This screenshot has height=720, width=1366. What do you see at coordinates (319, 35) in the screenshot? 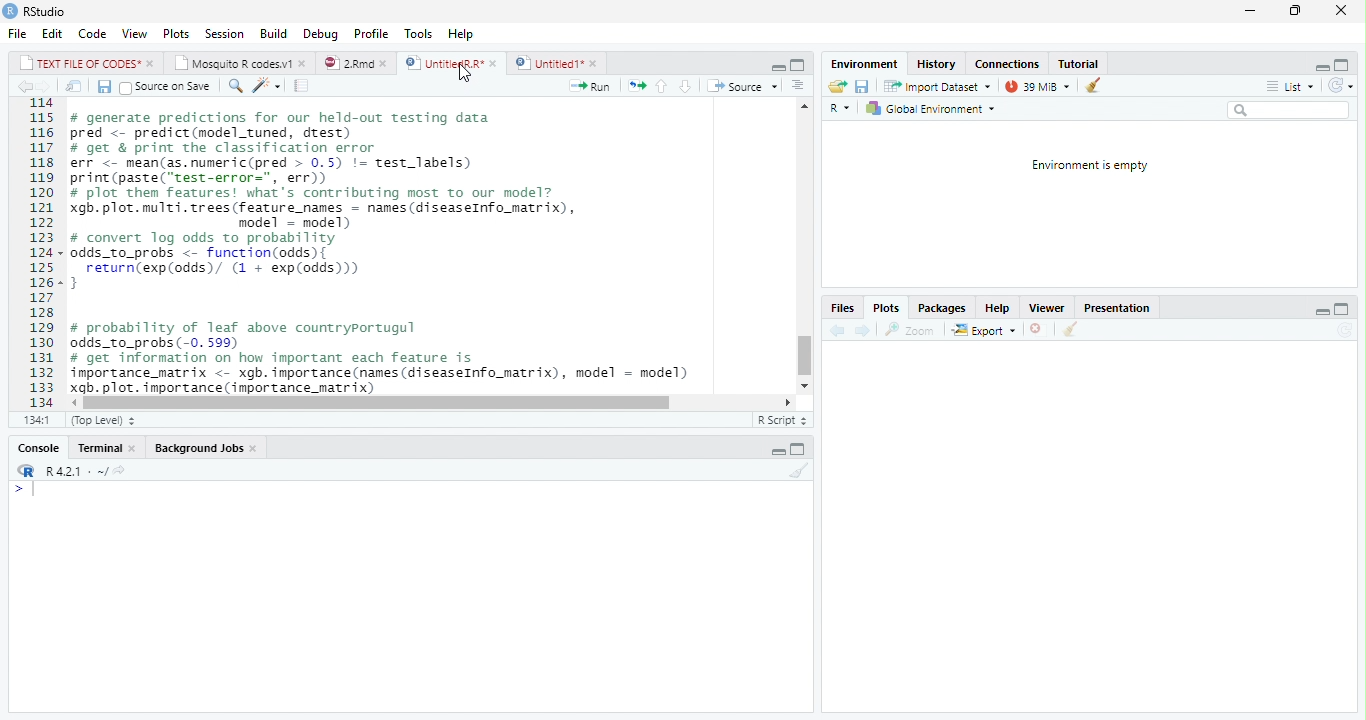
I see `Debug` at bounding box center [319, 35].